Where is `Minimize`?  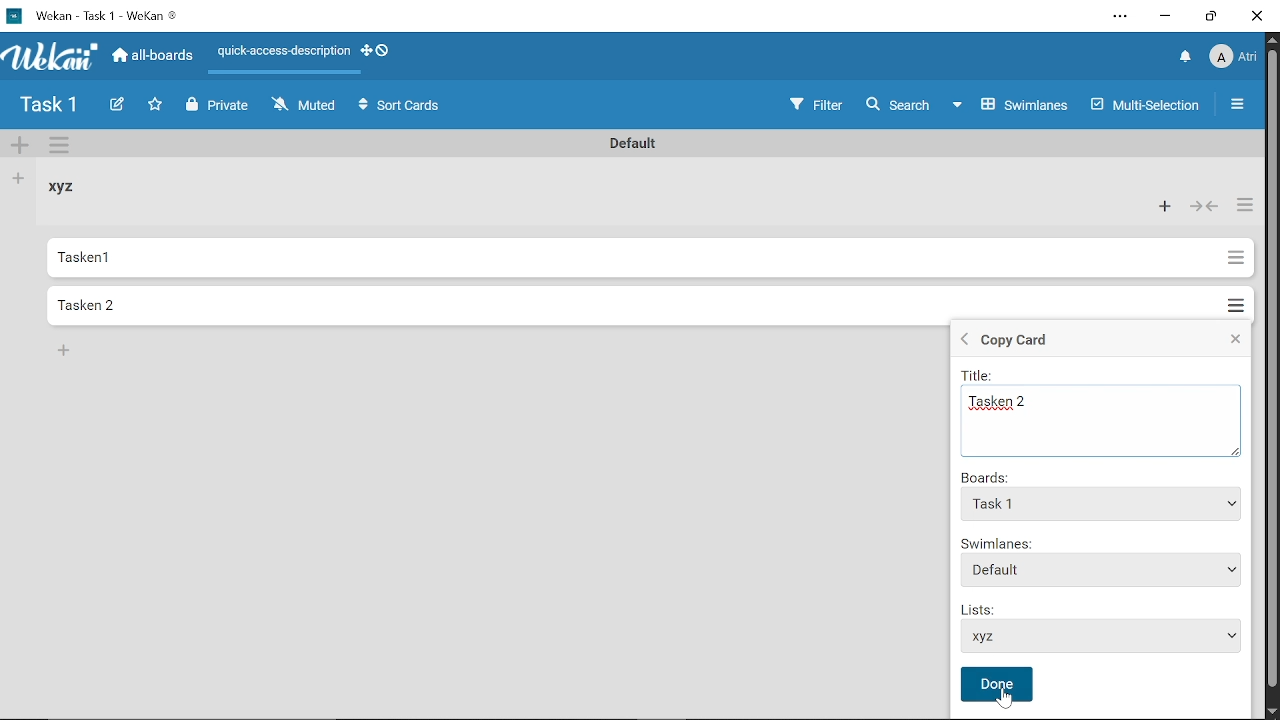
Minimize is located at coordinates (1166, 16).